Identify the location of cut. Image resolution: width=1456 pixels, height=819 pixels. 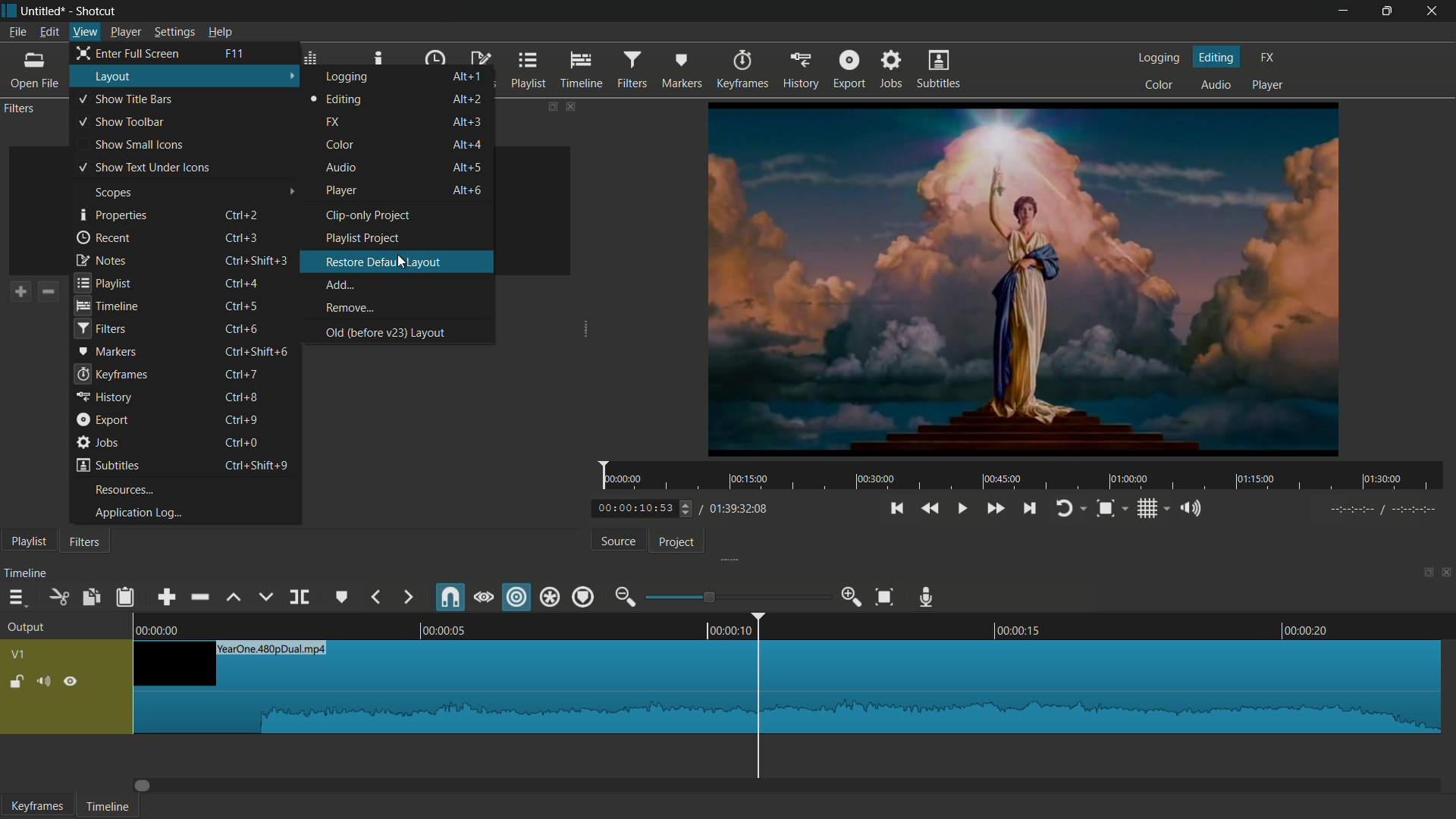
(58, 598).